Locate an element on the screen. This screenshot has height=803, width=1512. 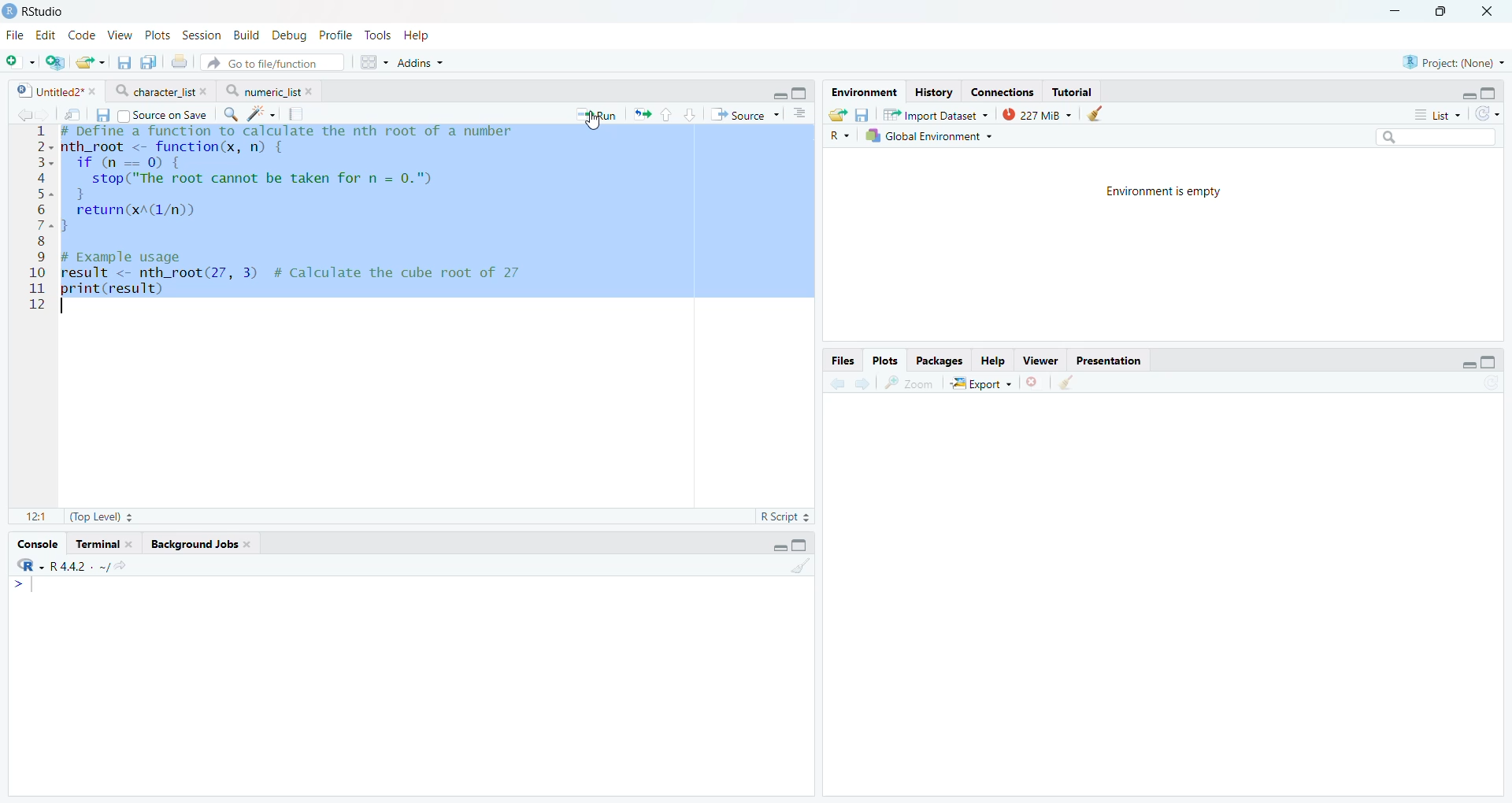
Plots is located at coordinates (885, 359).